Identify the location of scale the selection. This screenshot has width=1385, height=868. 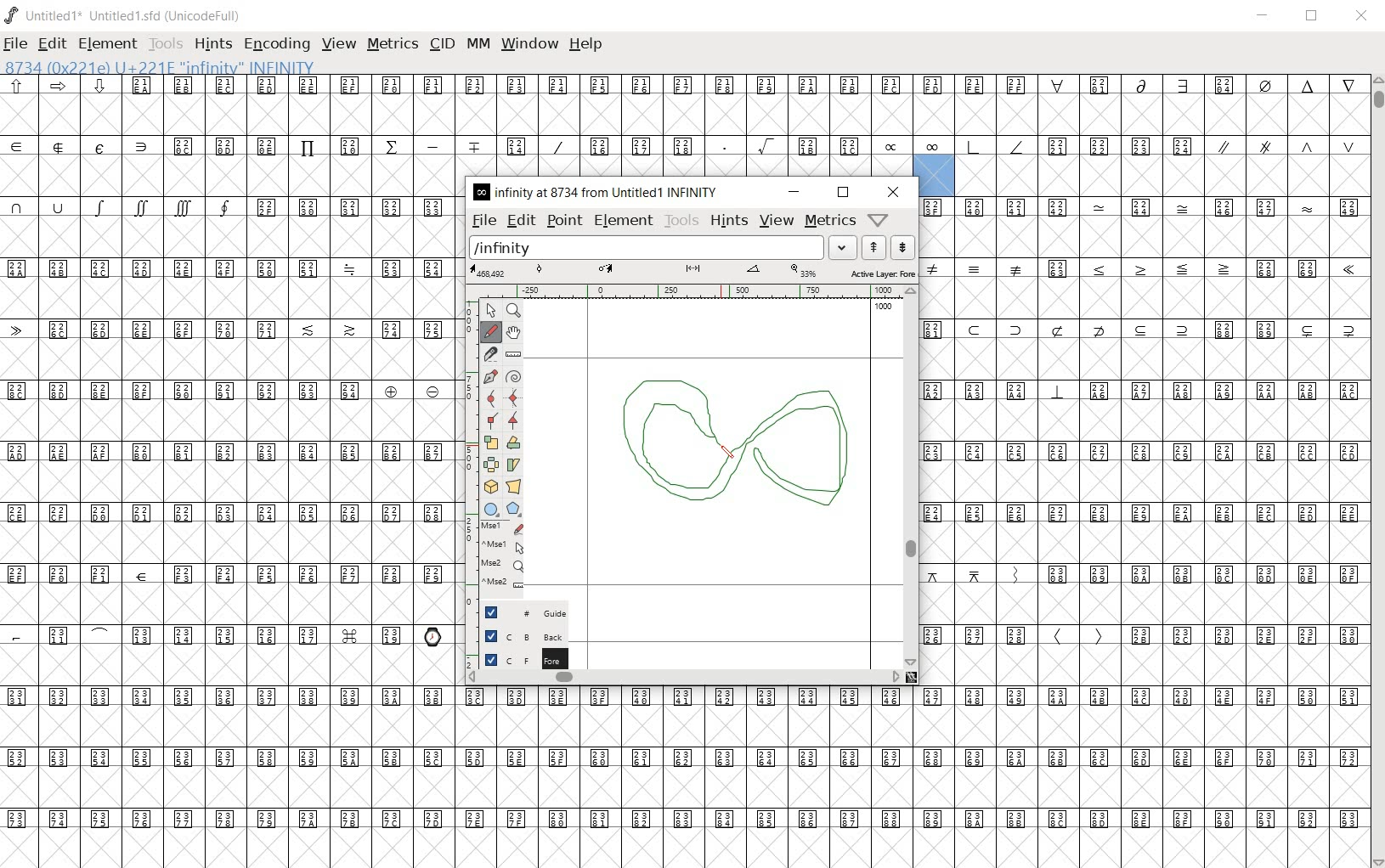
(490, 441).